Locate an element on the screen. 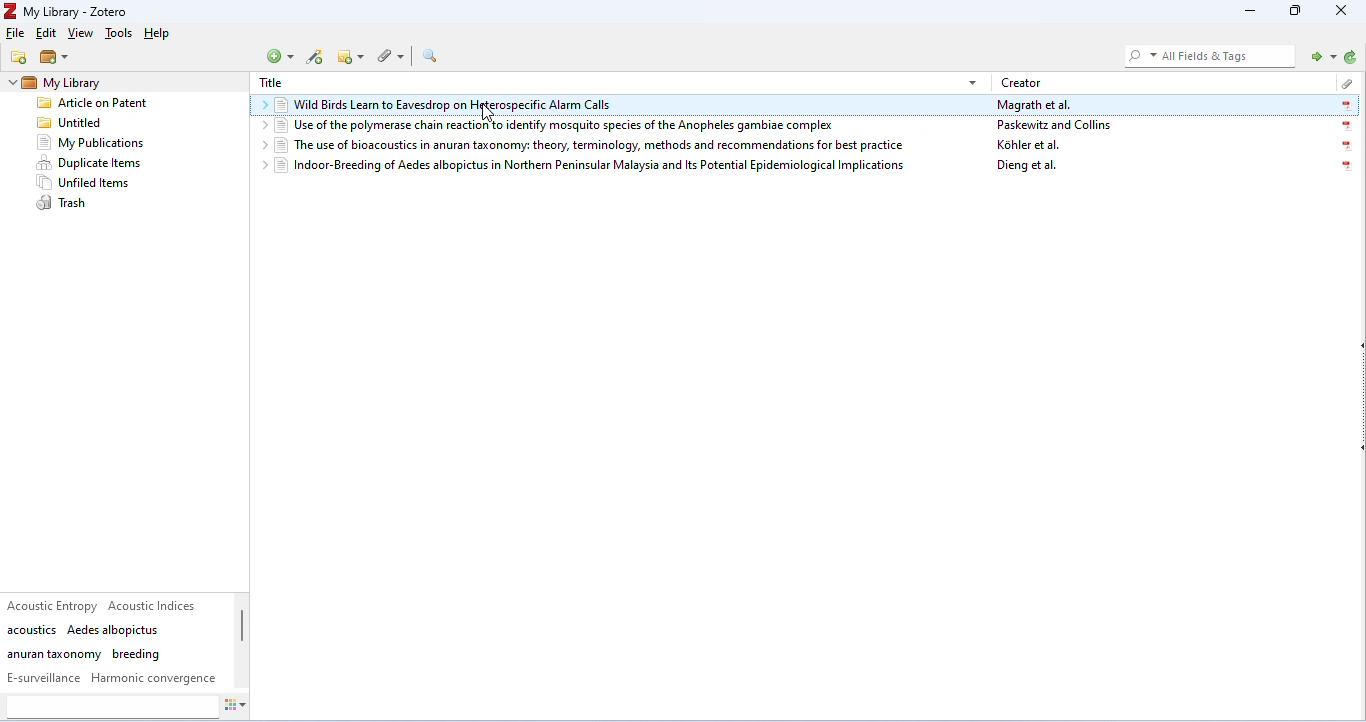 This screenshot has height=722, width=1366. new collection is located at coordinates (20, 57).